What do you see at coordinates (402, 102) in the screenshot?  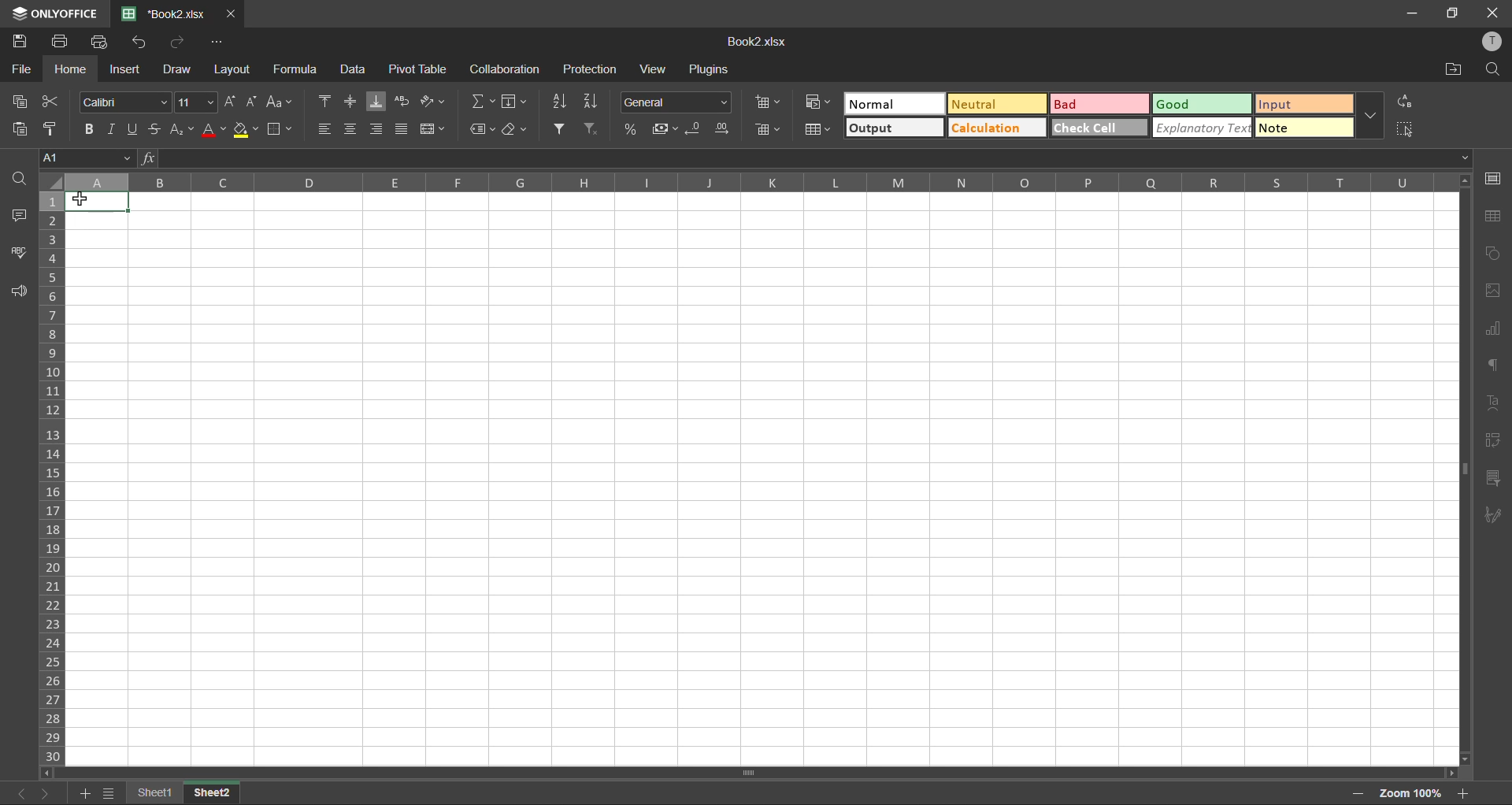 I see `wrap text` at bounding box center [402, 102].